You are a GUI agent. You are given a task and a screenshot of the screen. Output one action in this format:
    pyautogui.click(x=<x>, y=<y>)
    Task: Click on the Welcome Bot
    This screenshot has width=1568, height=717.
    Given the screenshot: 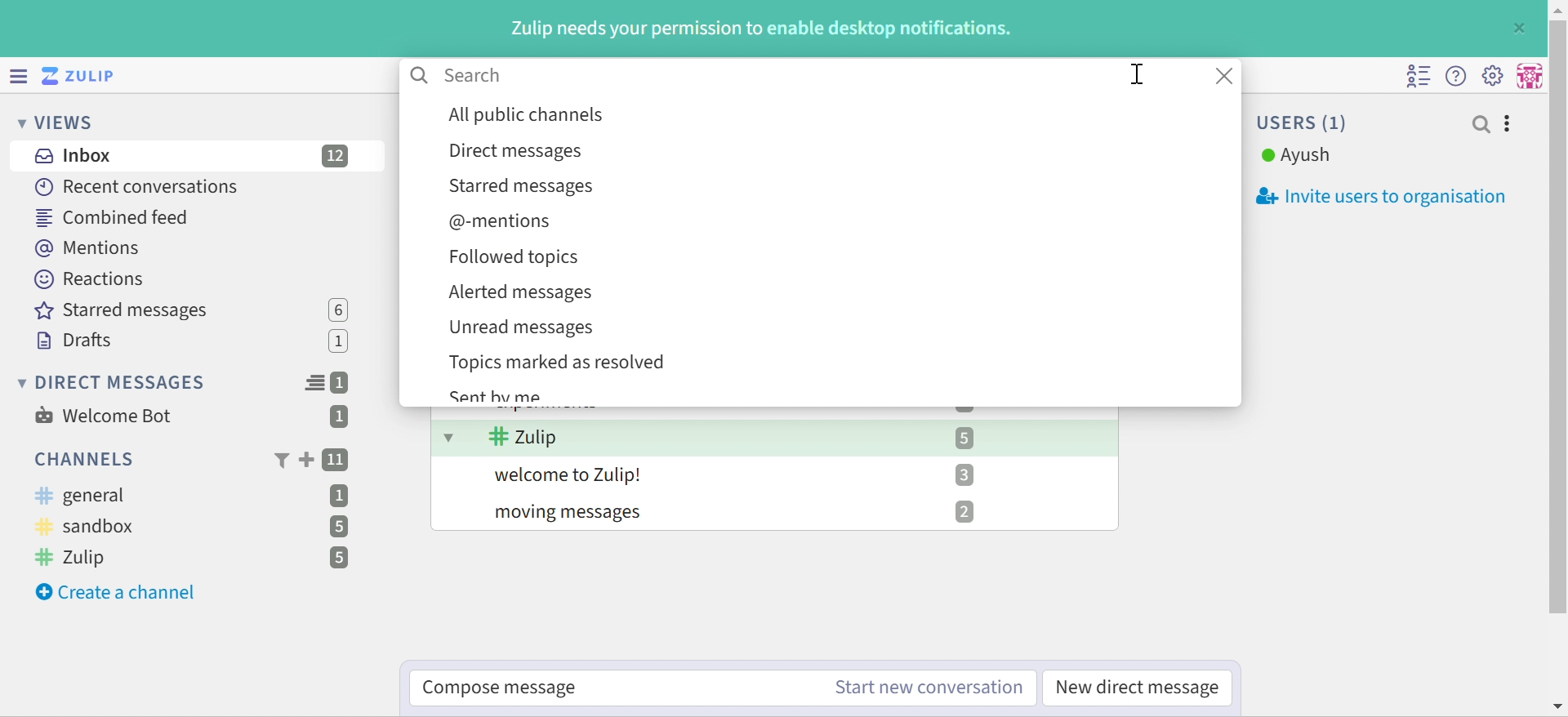 What is the action you would take?
    pyautogui.click(x=104, y=416)
    